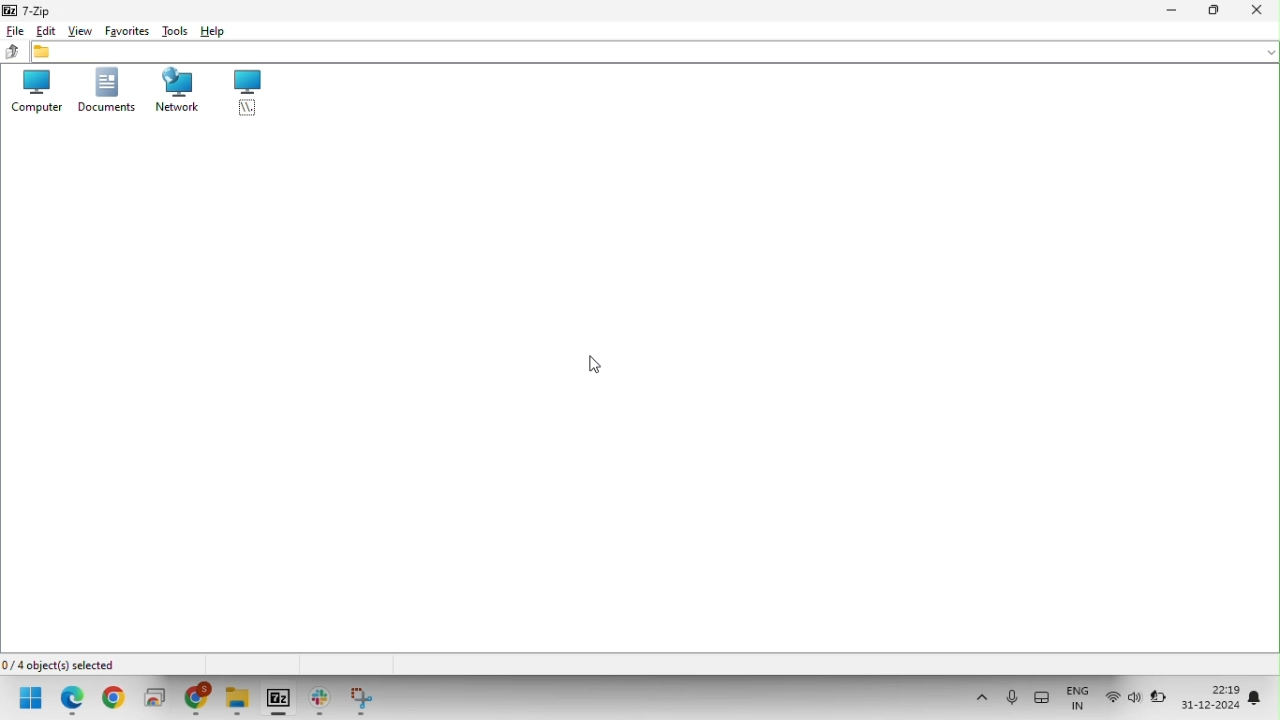 This screenshot has width=1280, height=720. I want to click on Restore, so click(1220, 10).